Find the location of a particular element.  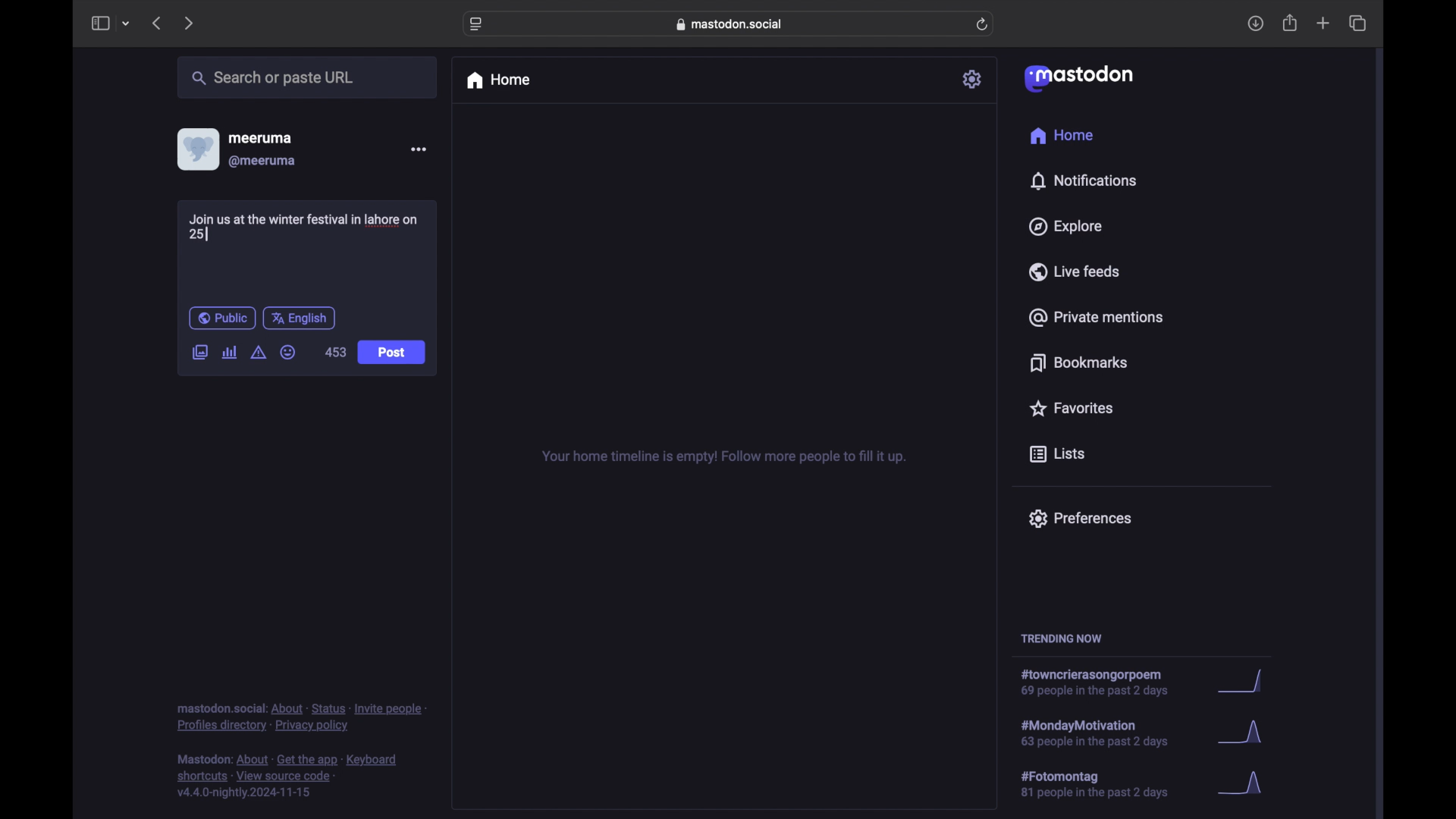

new tab is located at coordinates (1323, 23).